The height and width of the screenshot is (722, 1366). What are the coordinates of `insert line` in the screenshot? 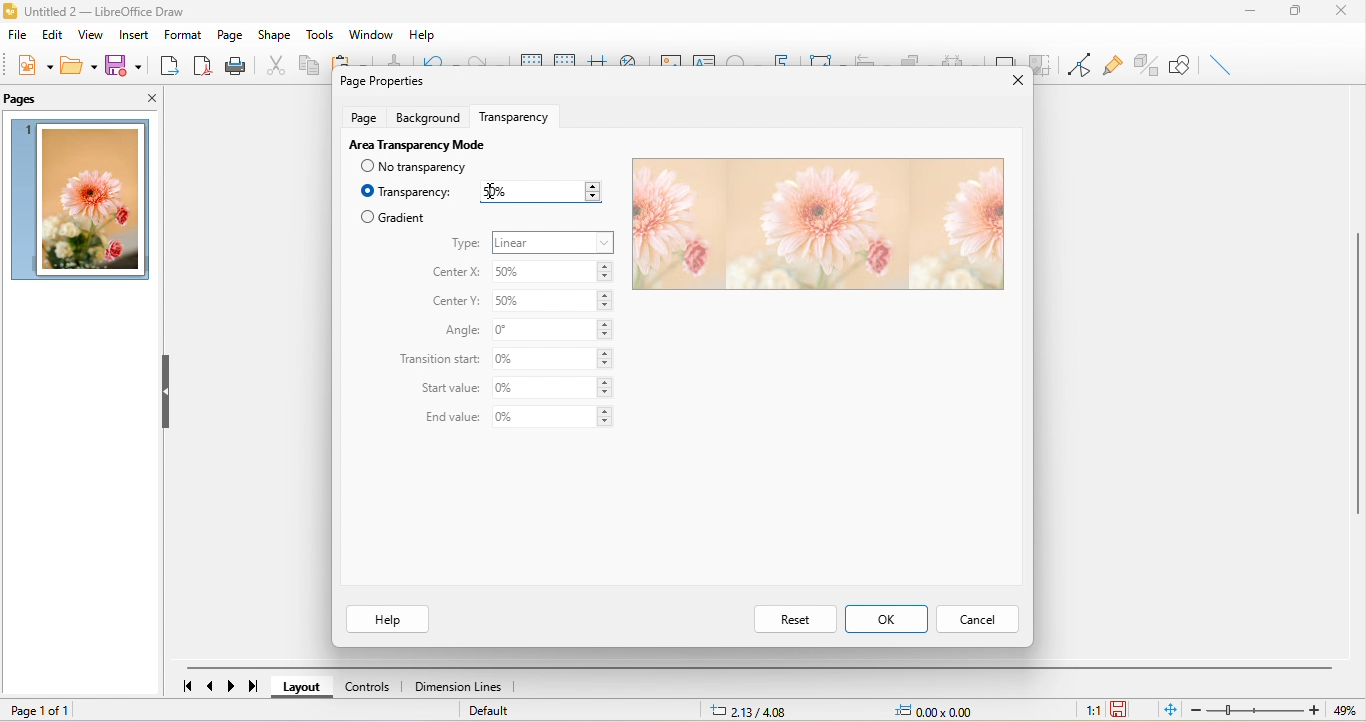 It's located at (1221, 64).